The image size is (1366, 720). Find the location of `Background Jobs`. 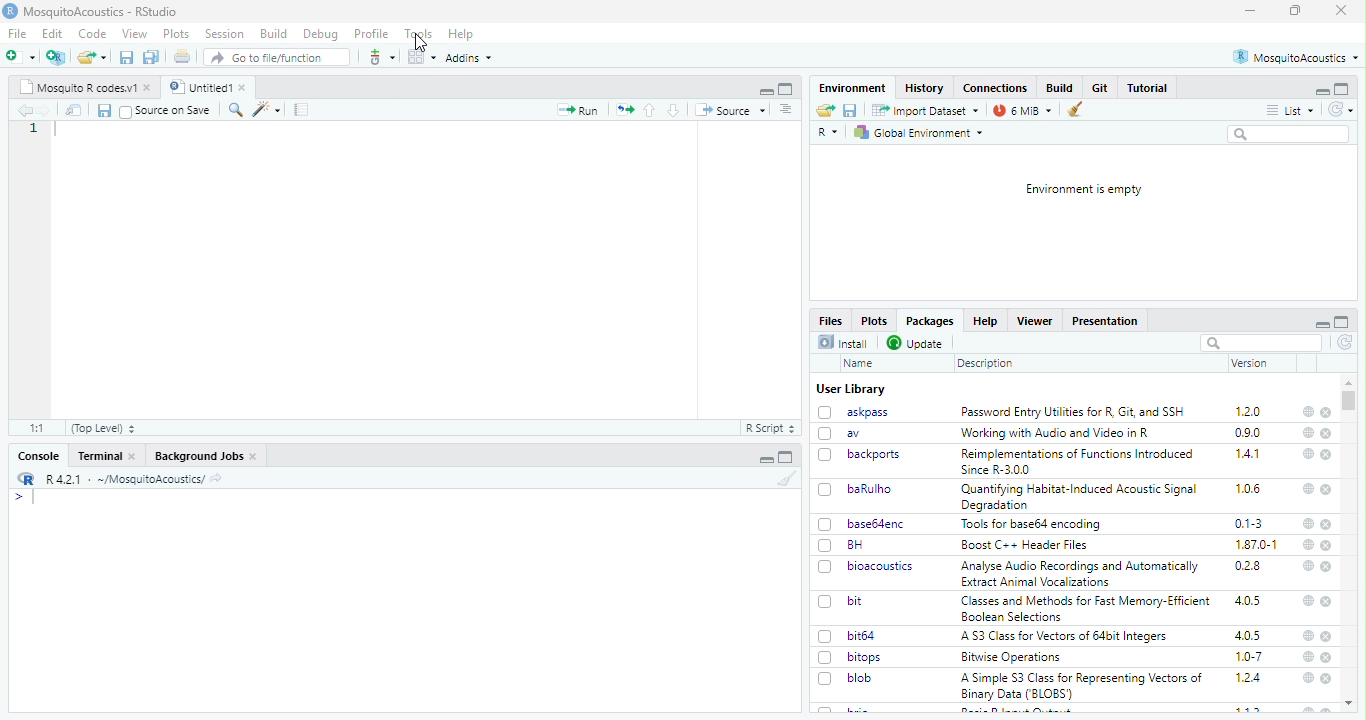

Background Jobs is located at coordinates (198, 457).